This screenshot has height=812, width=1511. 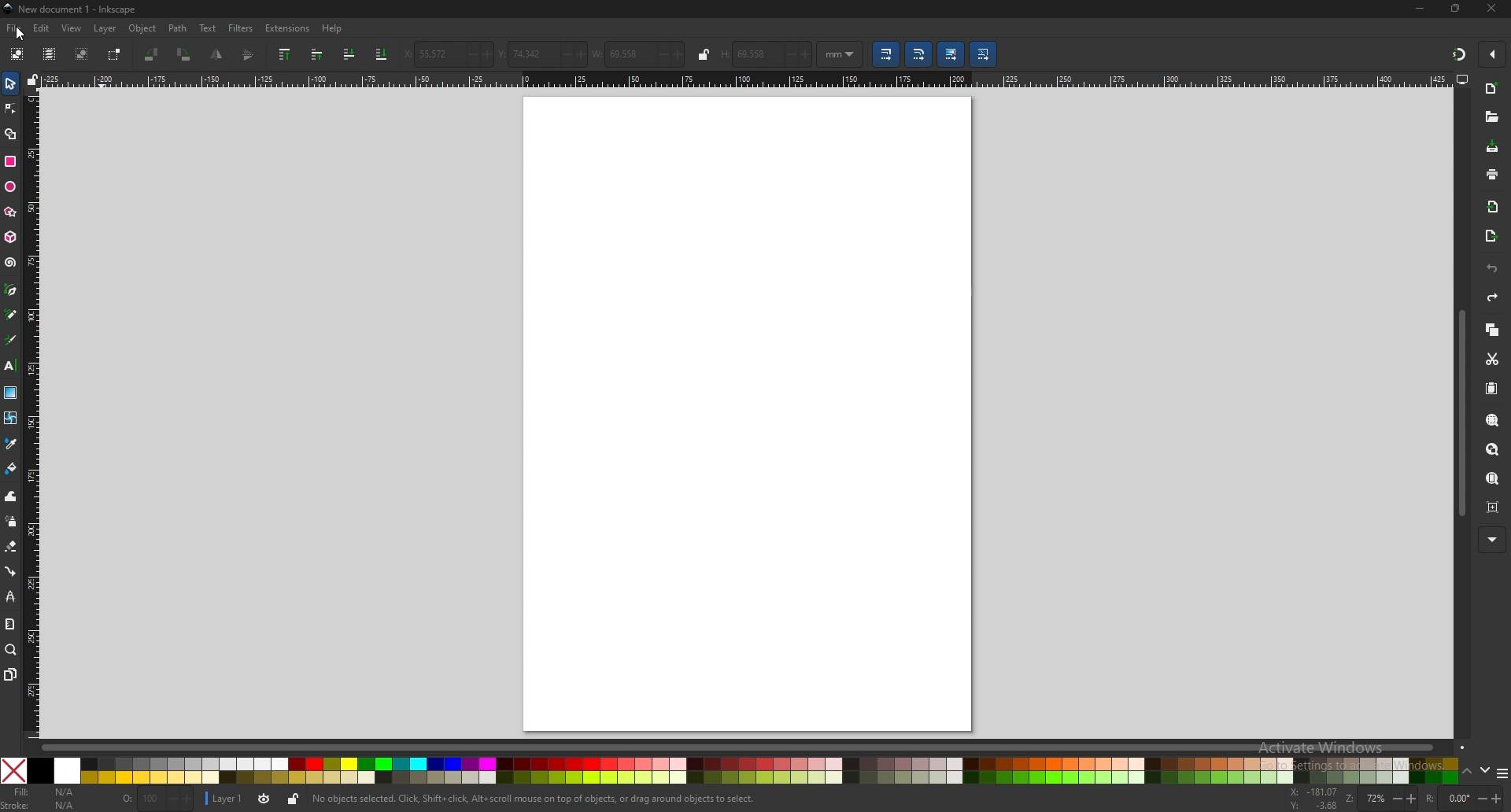 I want to click on redo, so click(x=1493, y=297).